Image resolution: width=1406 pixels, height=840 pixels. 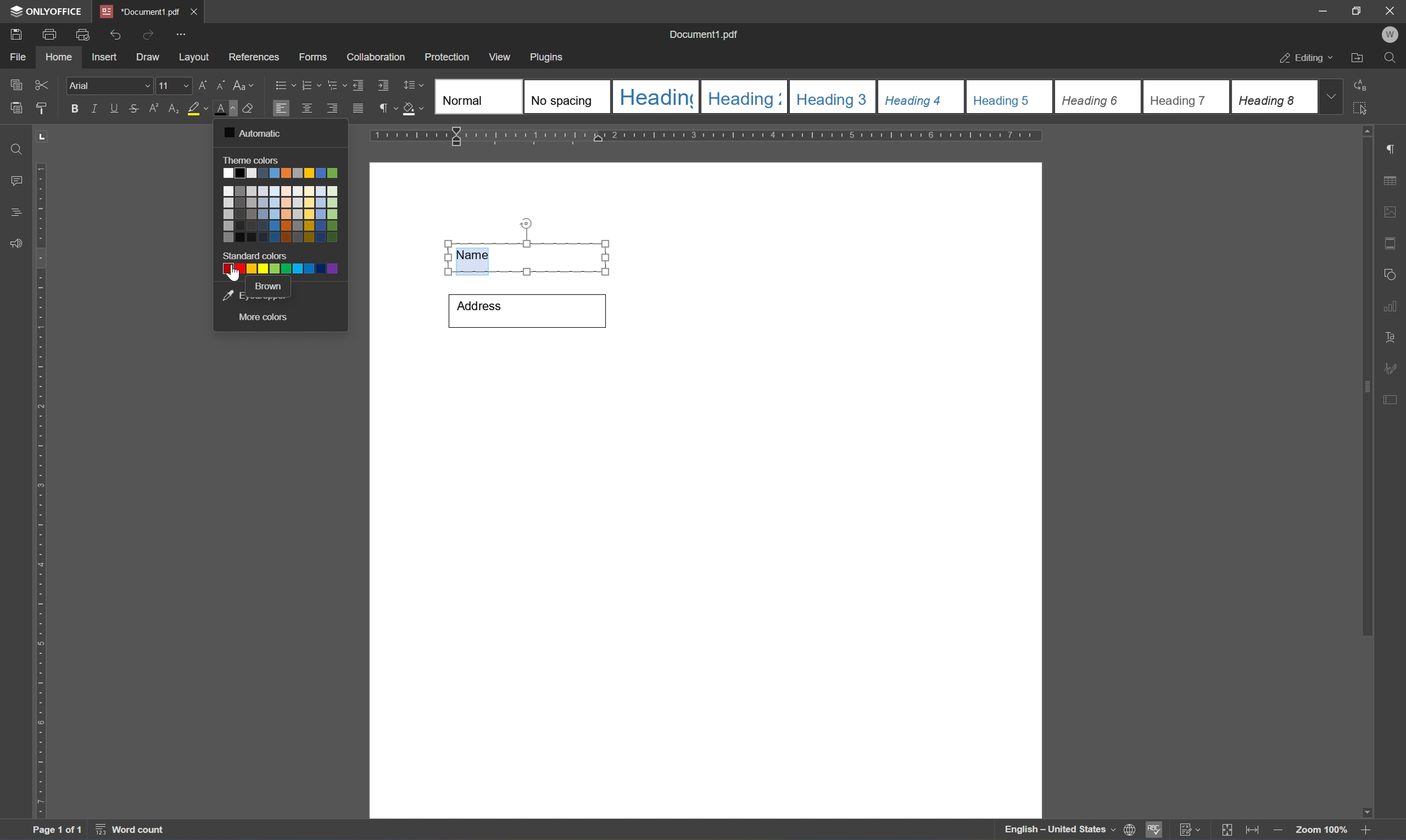 What do you see at coordinates (116, 109) in the screenshot?
I see `underline` at bounding box center [116, 109].